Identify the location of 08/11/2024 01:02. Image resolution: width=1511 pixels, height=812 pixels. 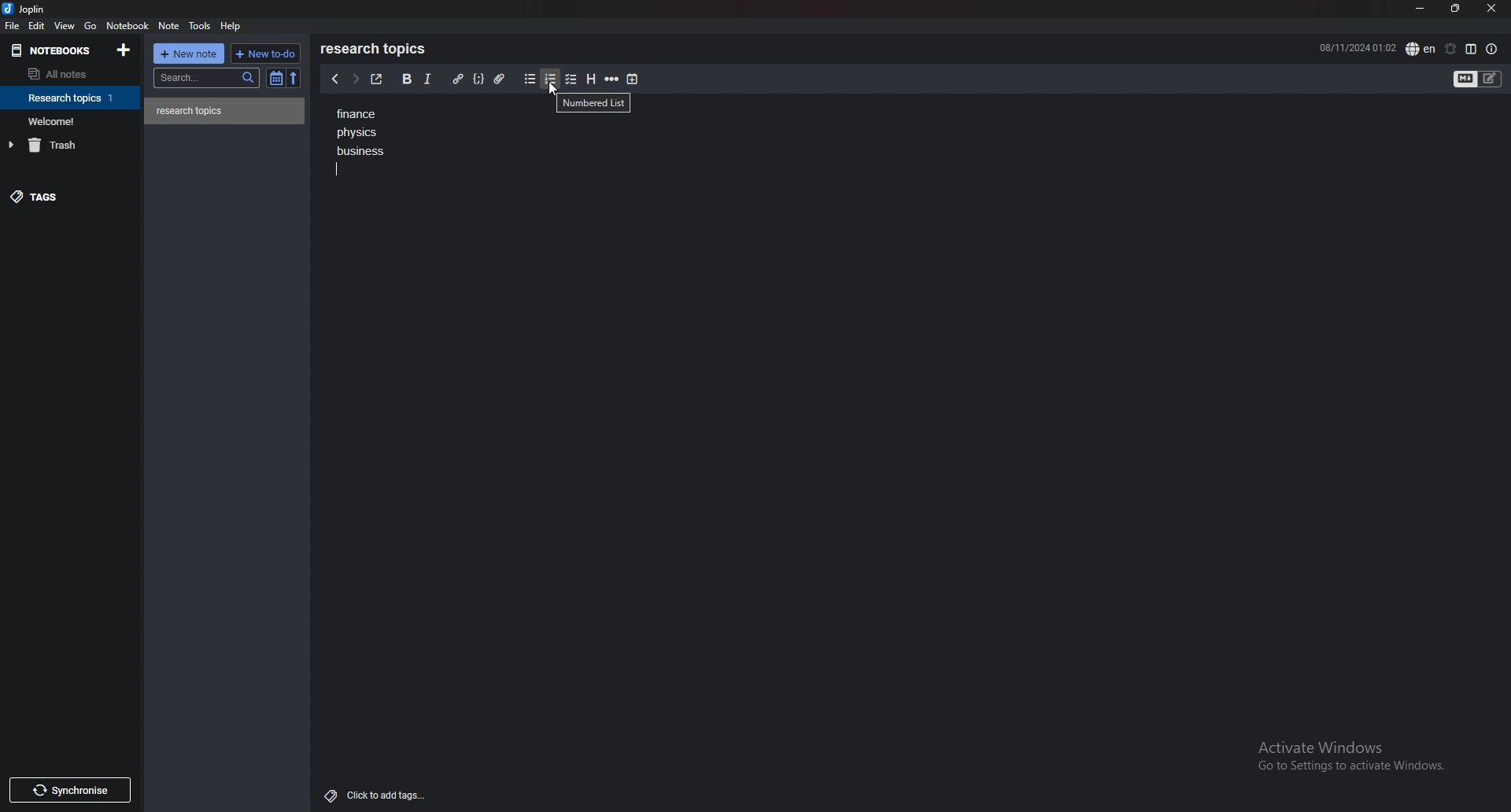
(1357, 47).